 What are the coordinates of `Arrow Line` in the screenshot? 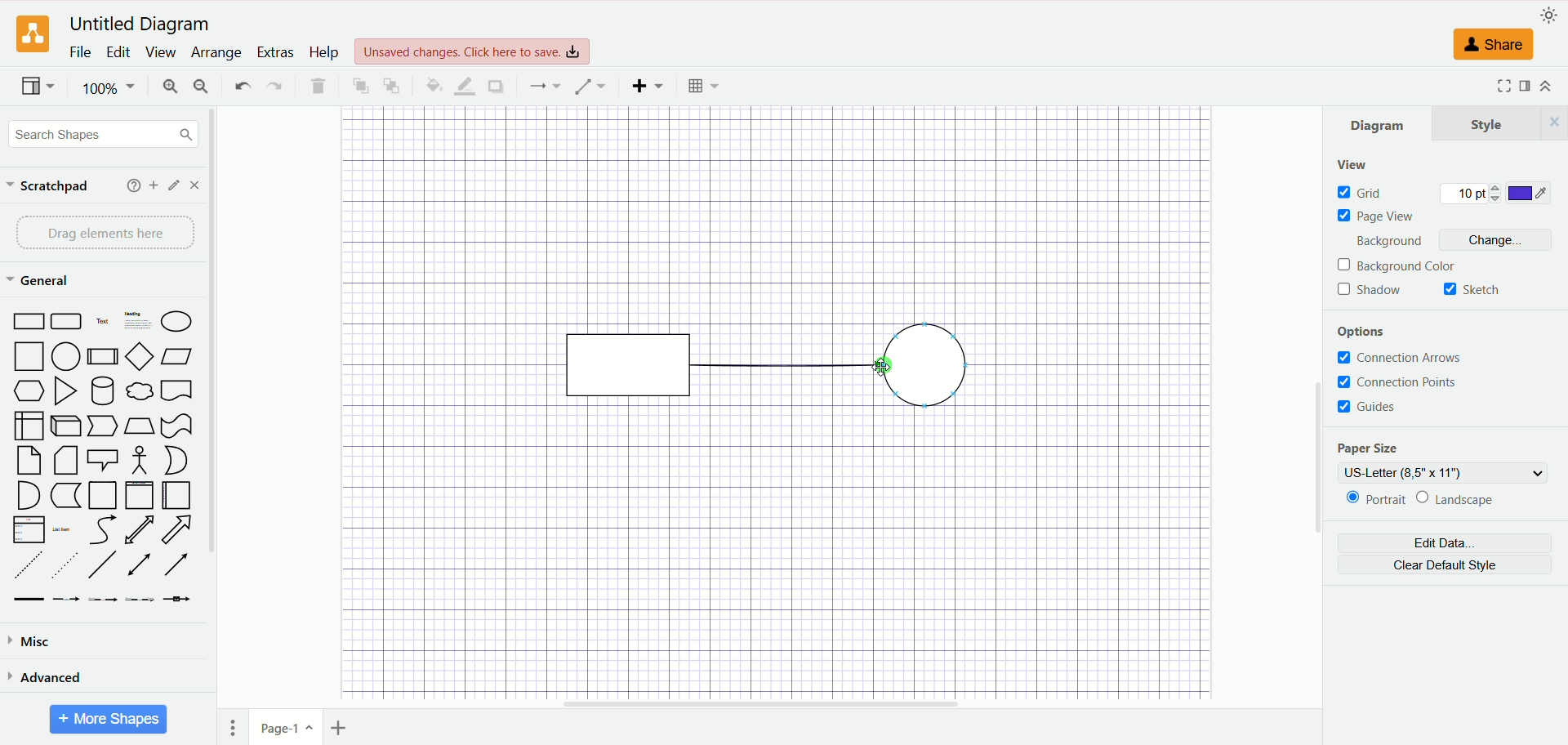 It's located at (176, 567).